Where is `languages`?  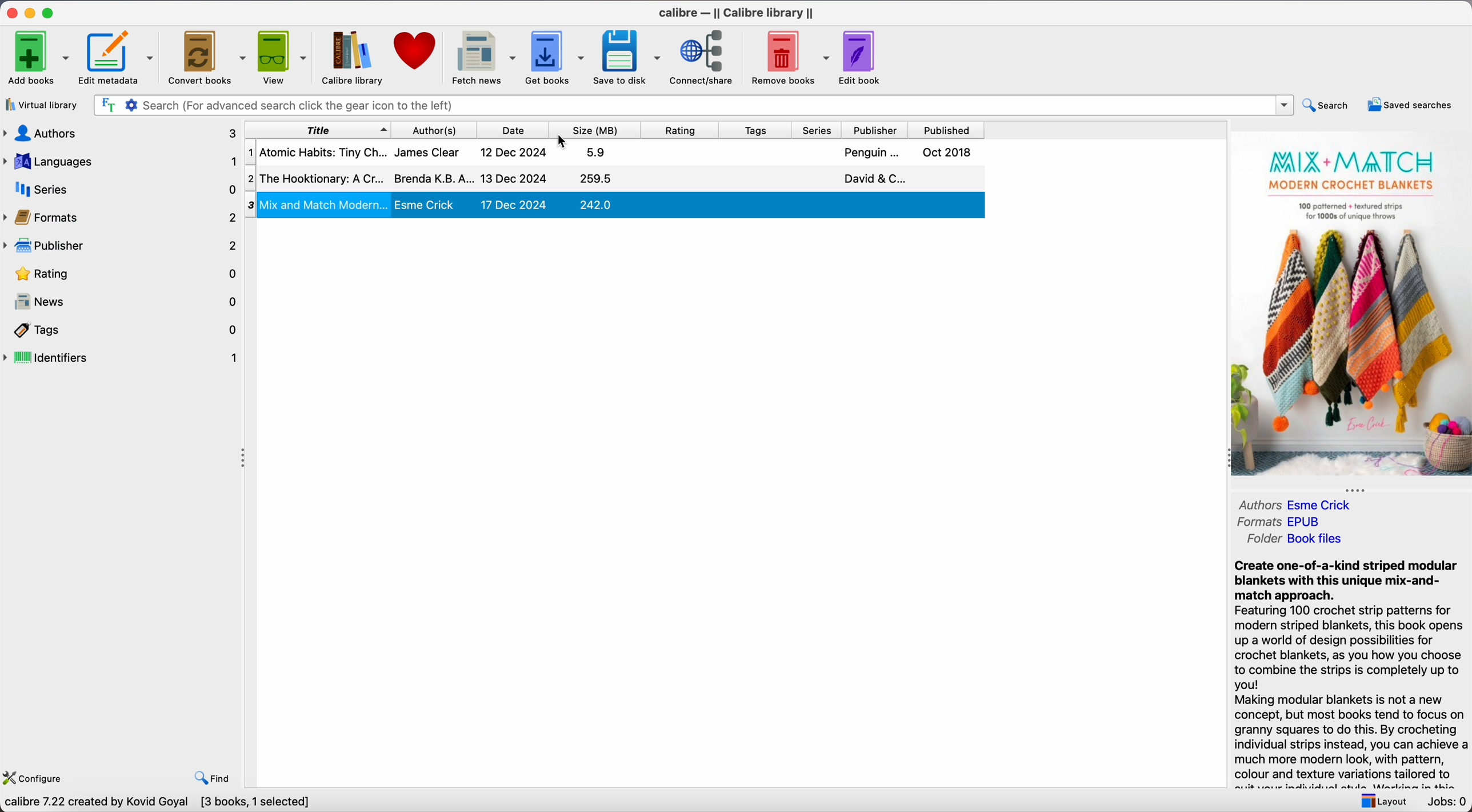 languages is located at coordinates (119, 162).